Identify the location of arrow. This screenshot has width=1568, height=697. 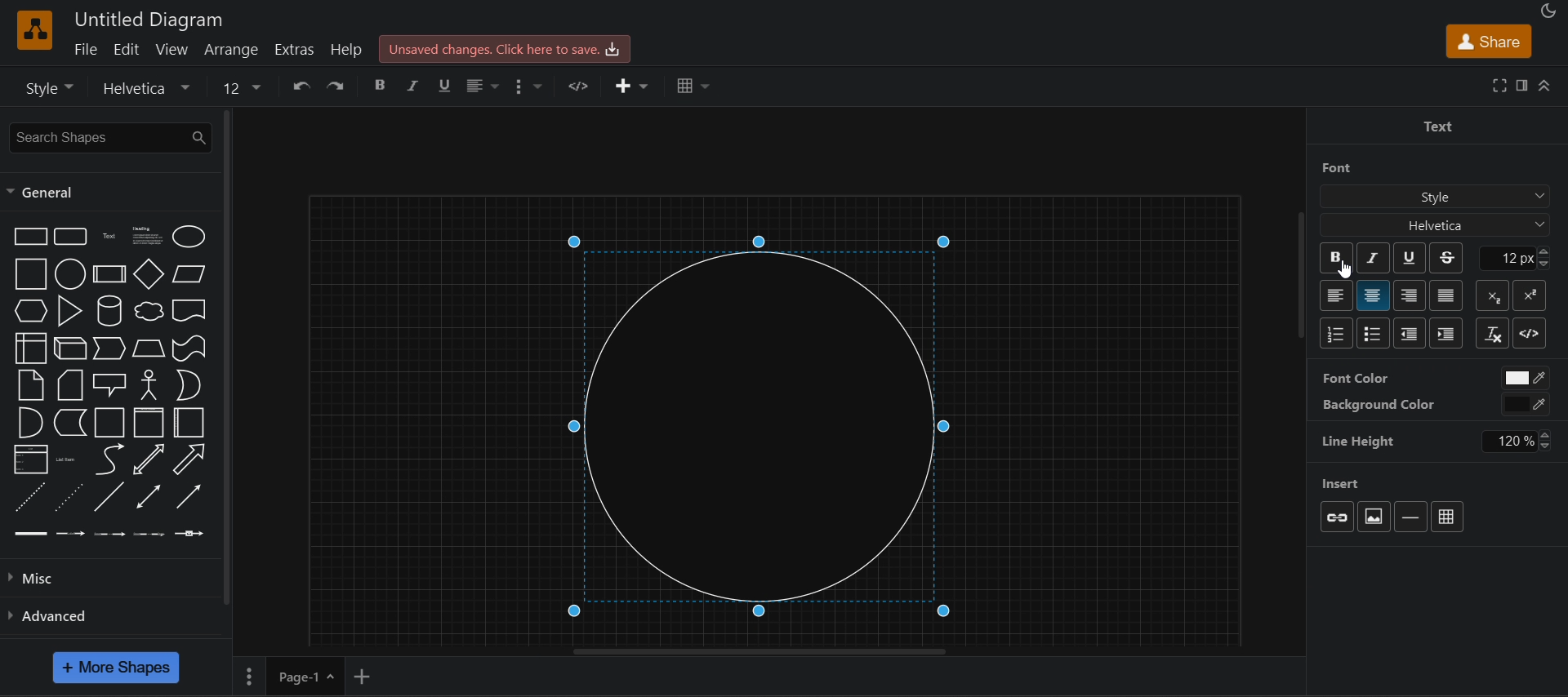
(192, 460).